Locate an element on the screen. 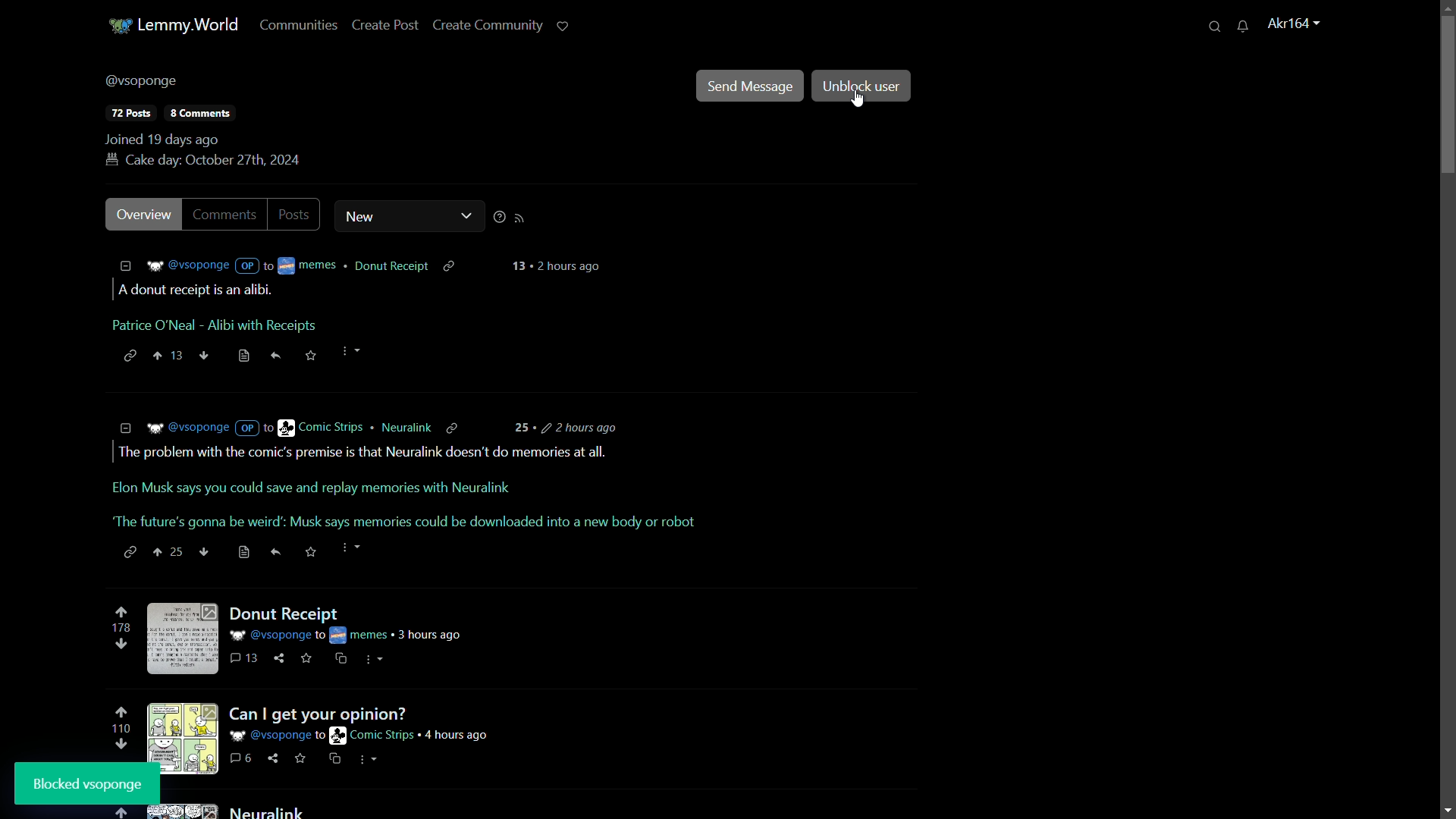  link is located at coordinates (127, 355).